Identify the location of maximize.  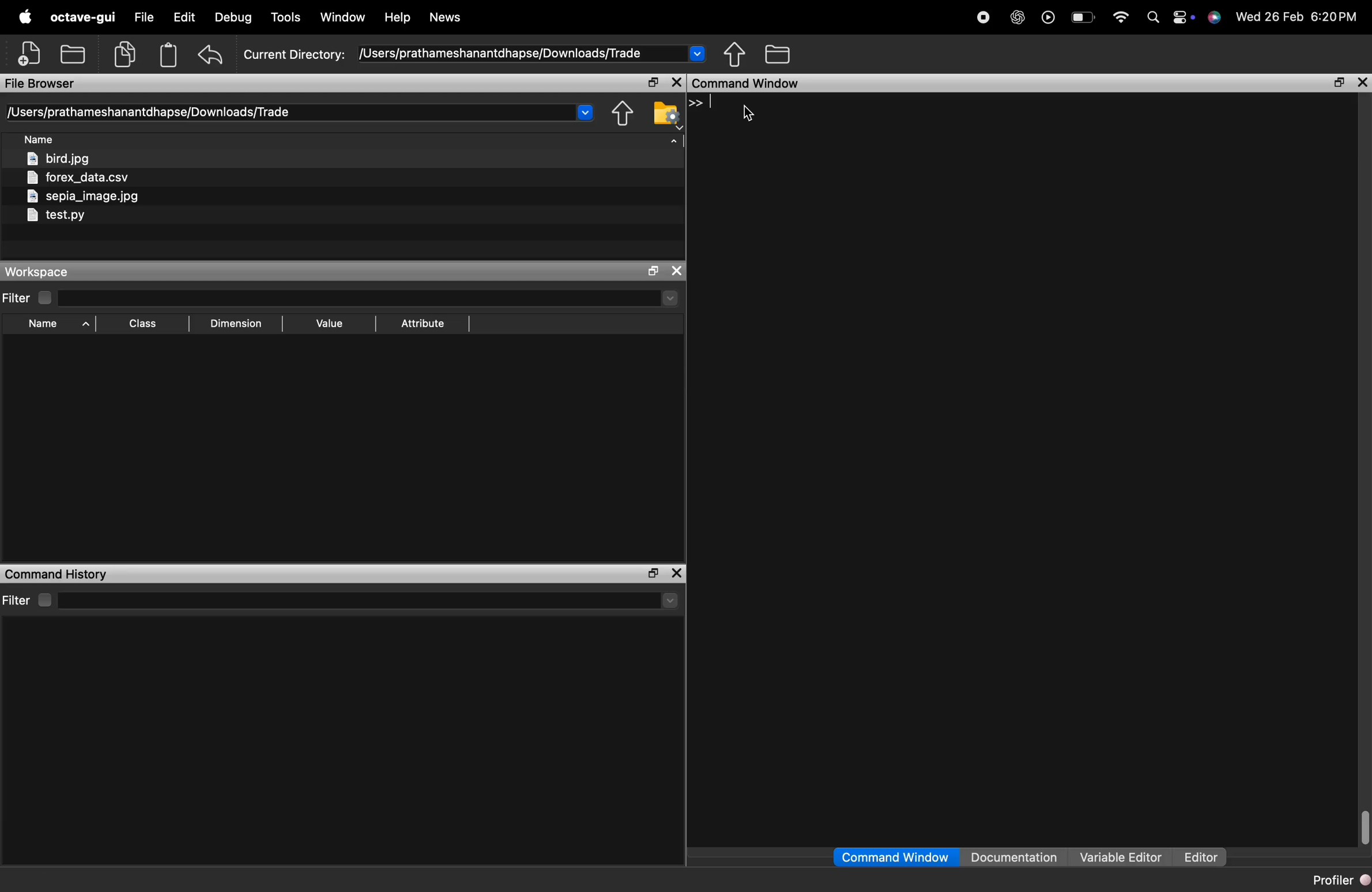
(653, 83).